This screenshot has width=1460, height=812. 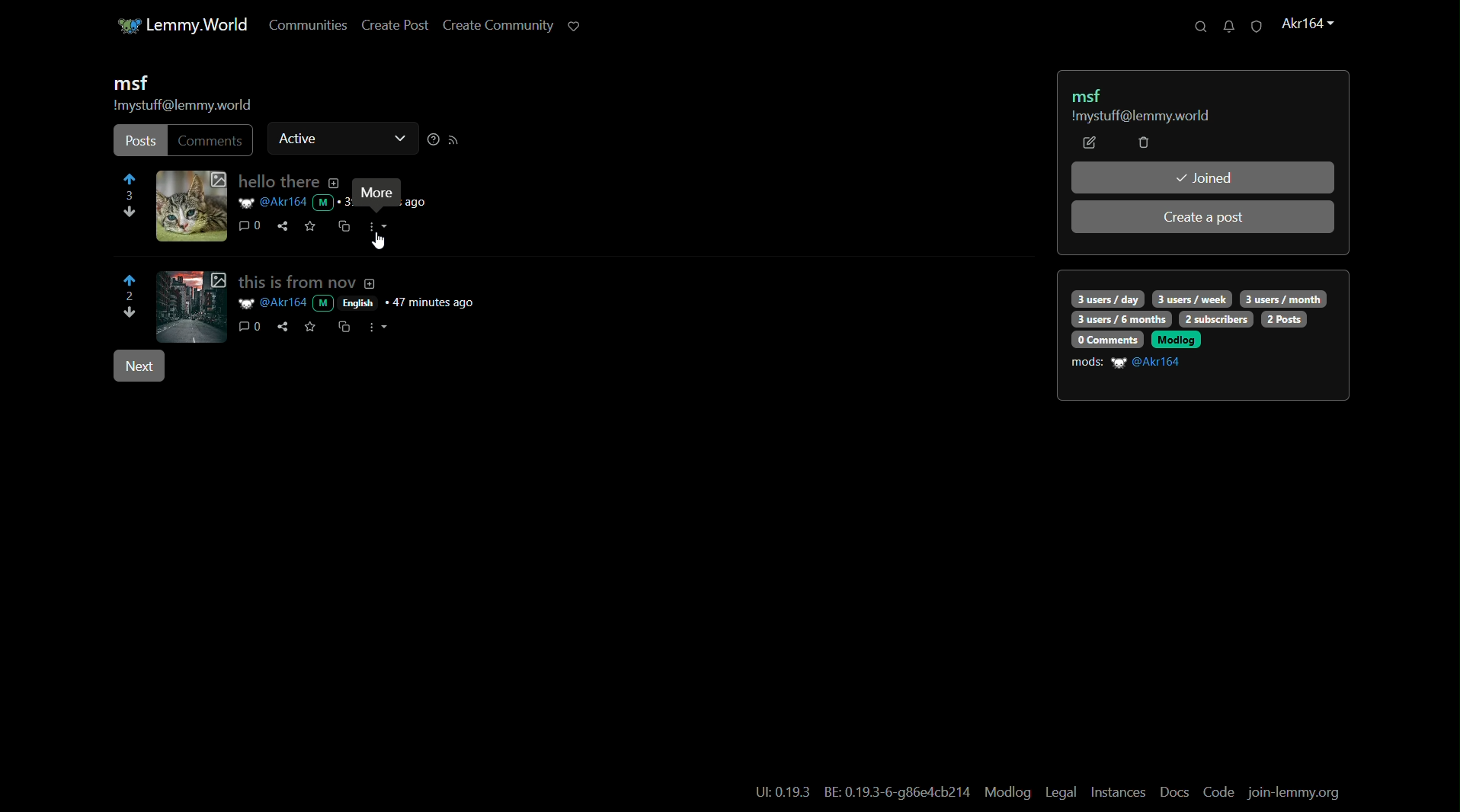 What do you see at coordinates (212, 140) in the screenshot?
I see `comment` at bounding box center [212, 140].